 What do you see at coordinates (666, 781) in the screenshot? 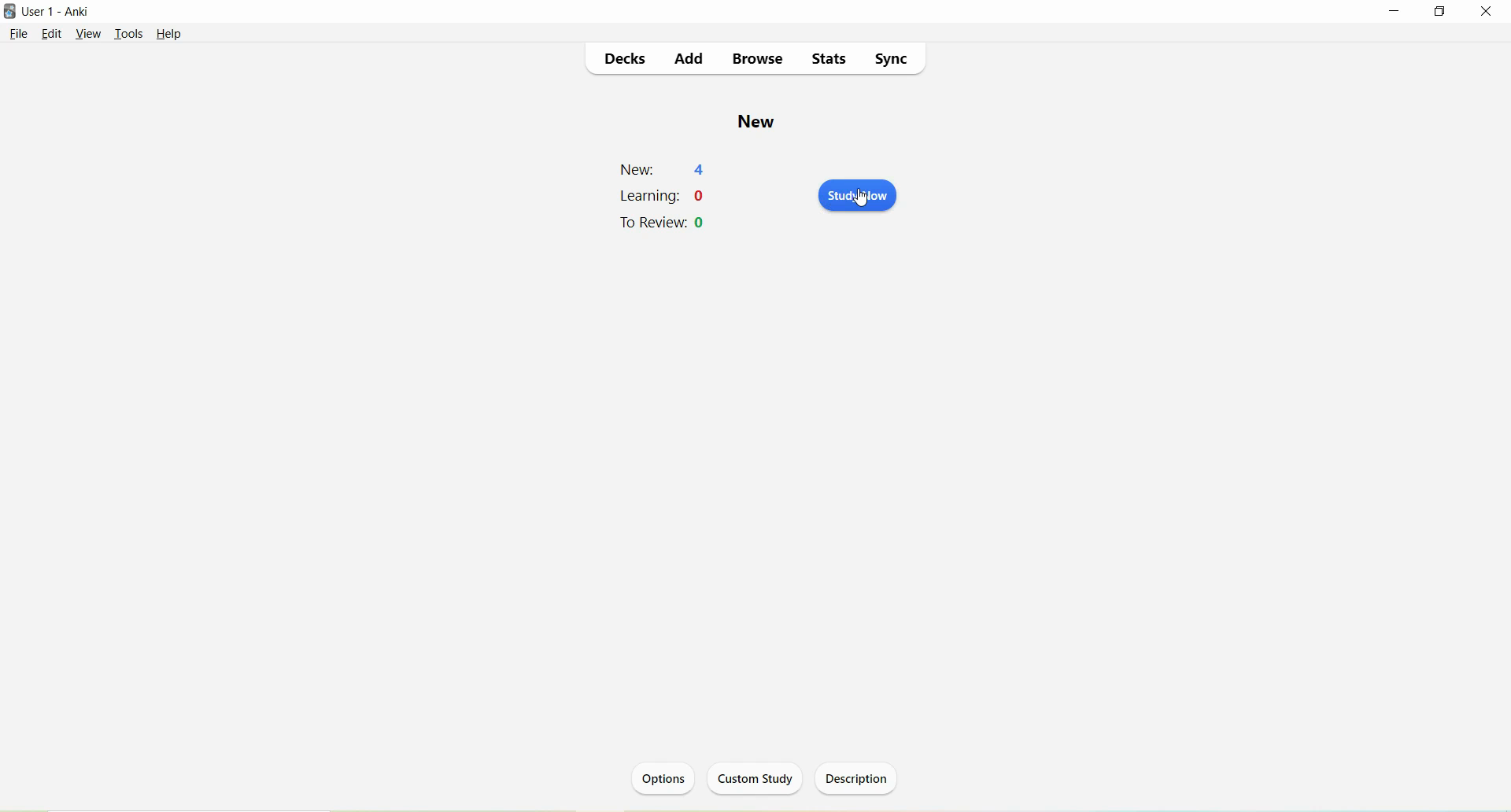
I see `Options` at bounding box center [666, 781].